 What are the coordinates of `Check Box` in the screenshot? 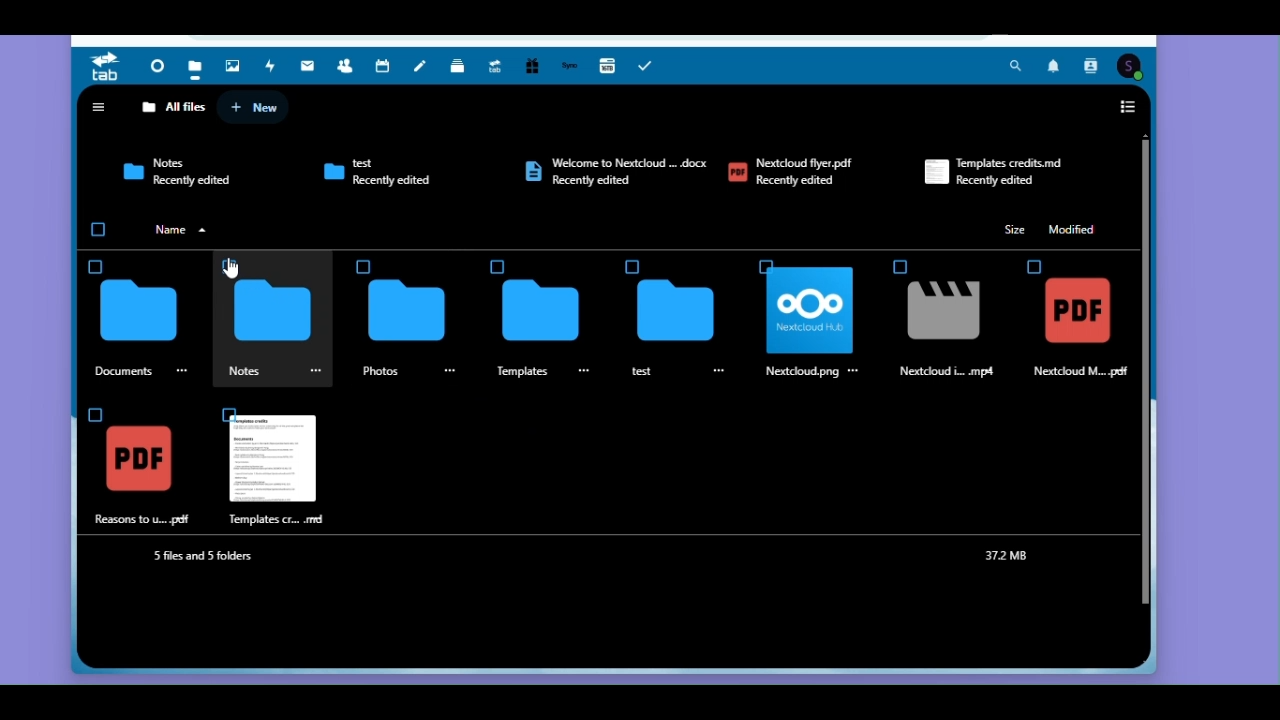 It's located at (100, 263).